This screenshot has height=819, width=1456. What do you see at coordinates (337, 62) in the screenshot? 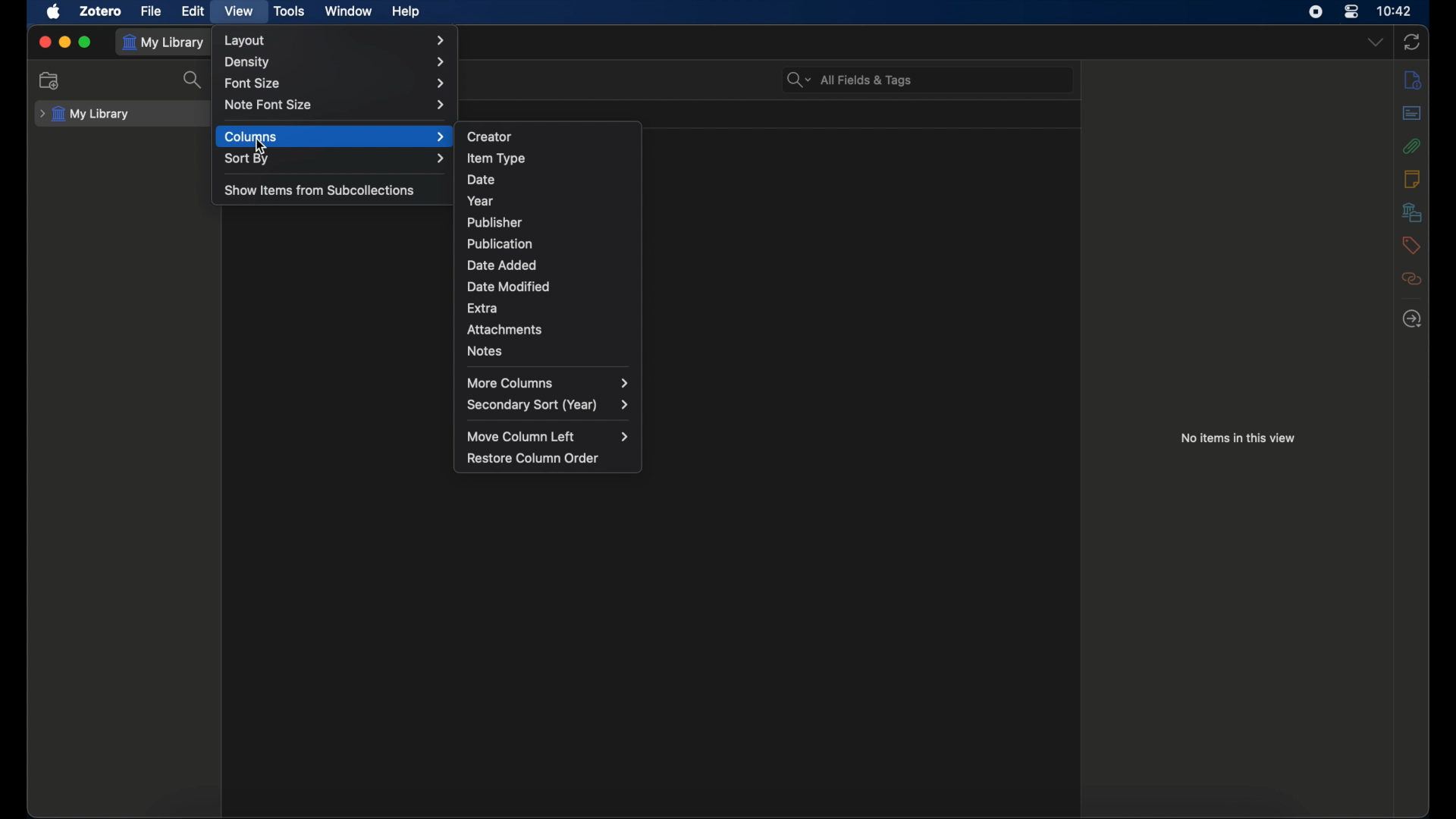
I see `density` at bounding box center [337, 62].